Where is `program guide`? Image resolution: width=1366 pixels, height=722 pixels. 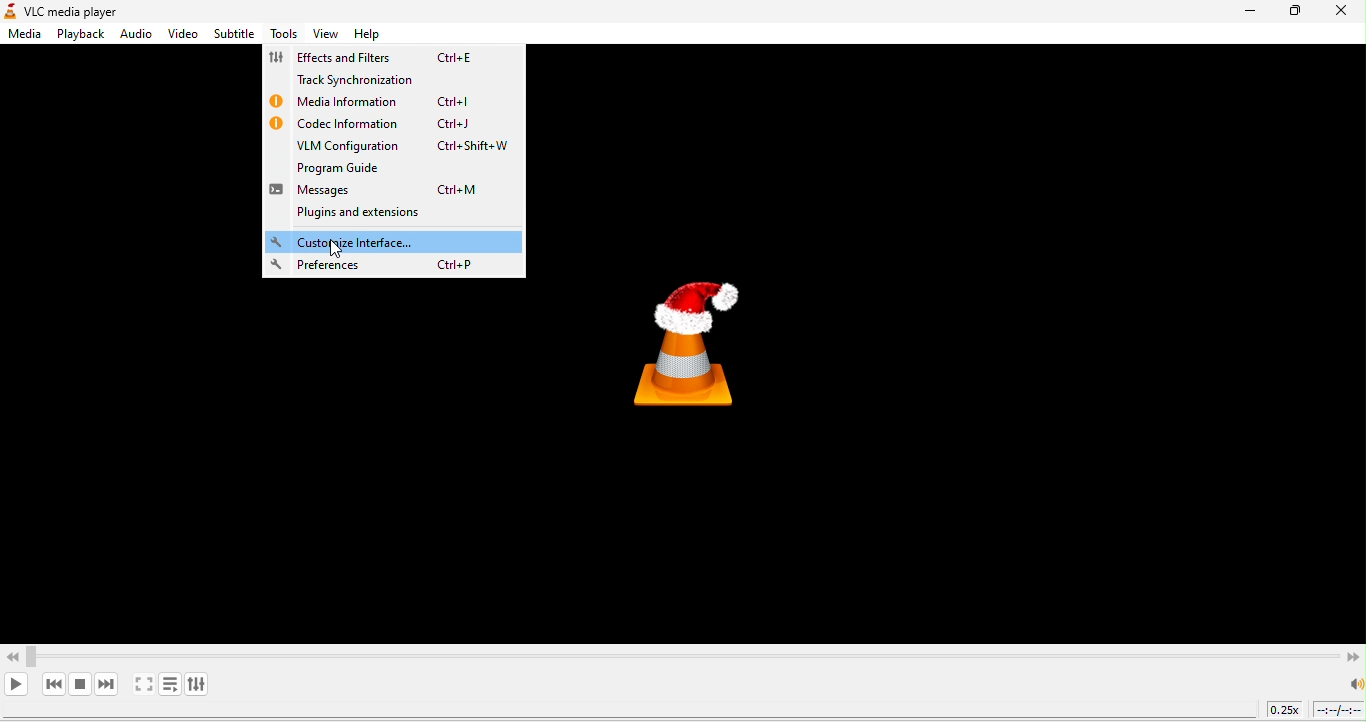 program guide is located at coordinates (384, 168).